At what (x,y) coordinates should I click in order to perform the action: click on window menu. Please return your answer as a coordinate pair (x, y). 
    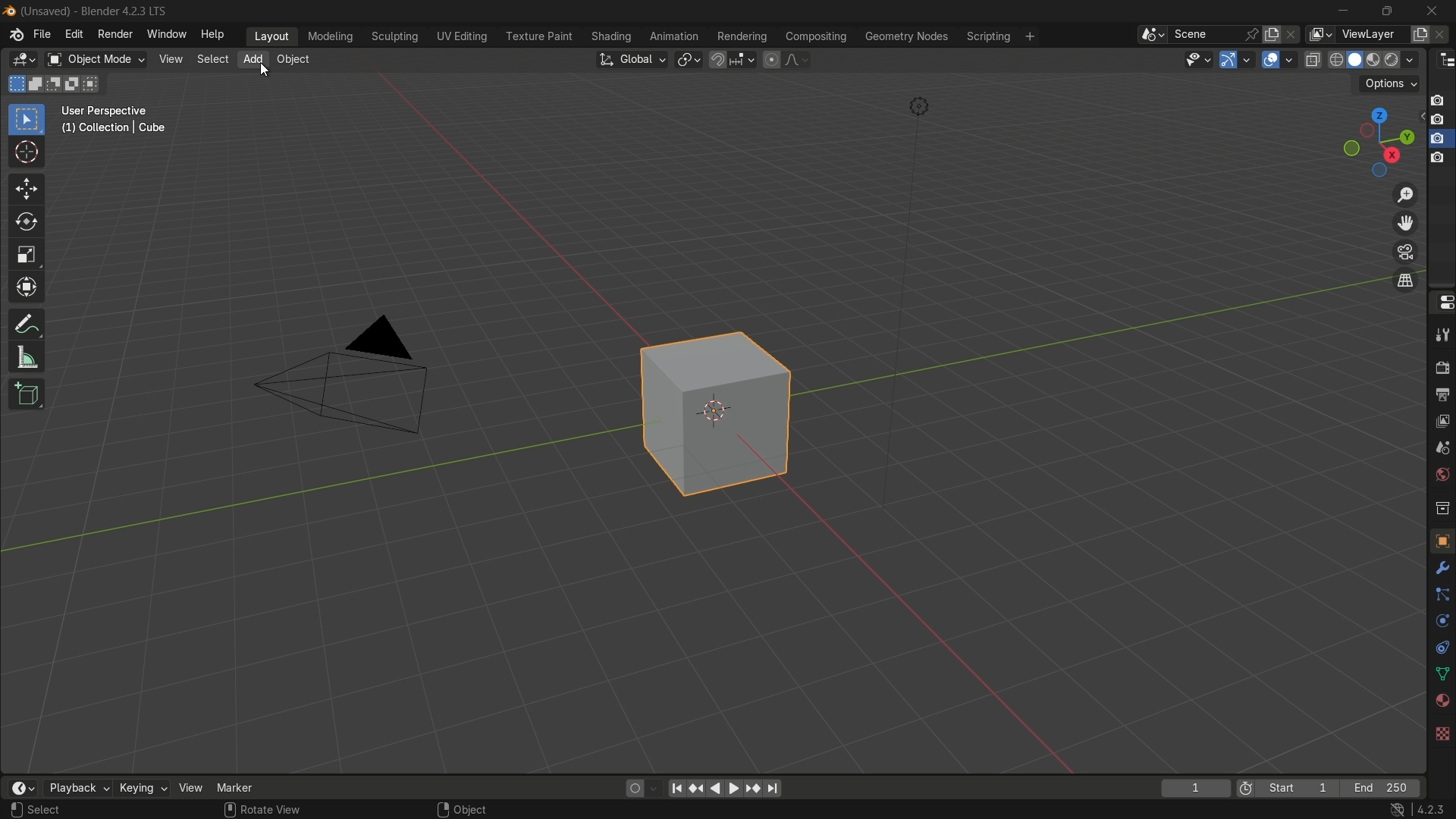
    Looking at the image, I should click on (165, 33).